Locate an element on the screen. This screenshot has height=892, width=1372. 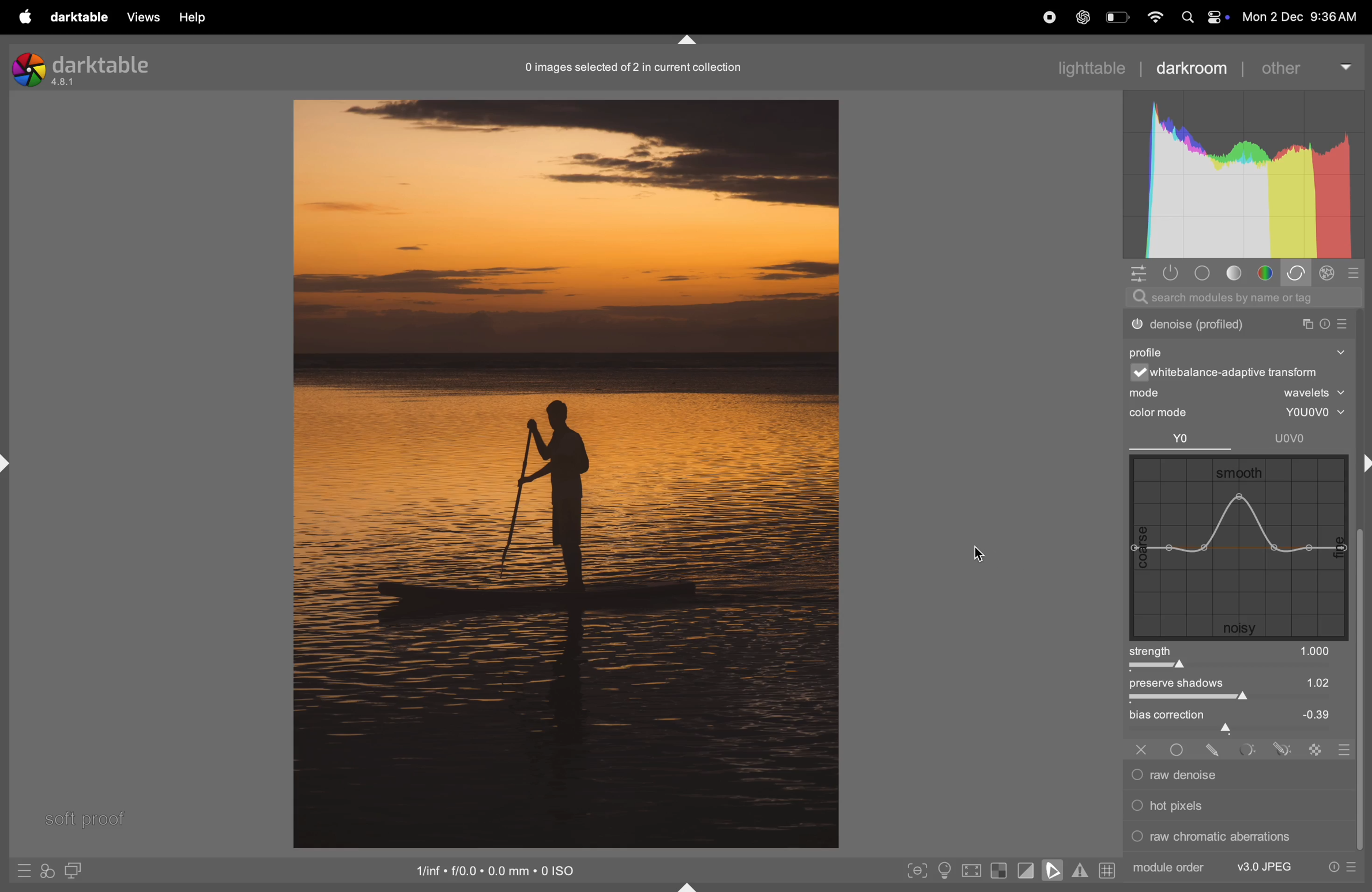
presets is located at coordinates (1342, 868).